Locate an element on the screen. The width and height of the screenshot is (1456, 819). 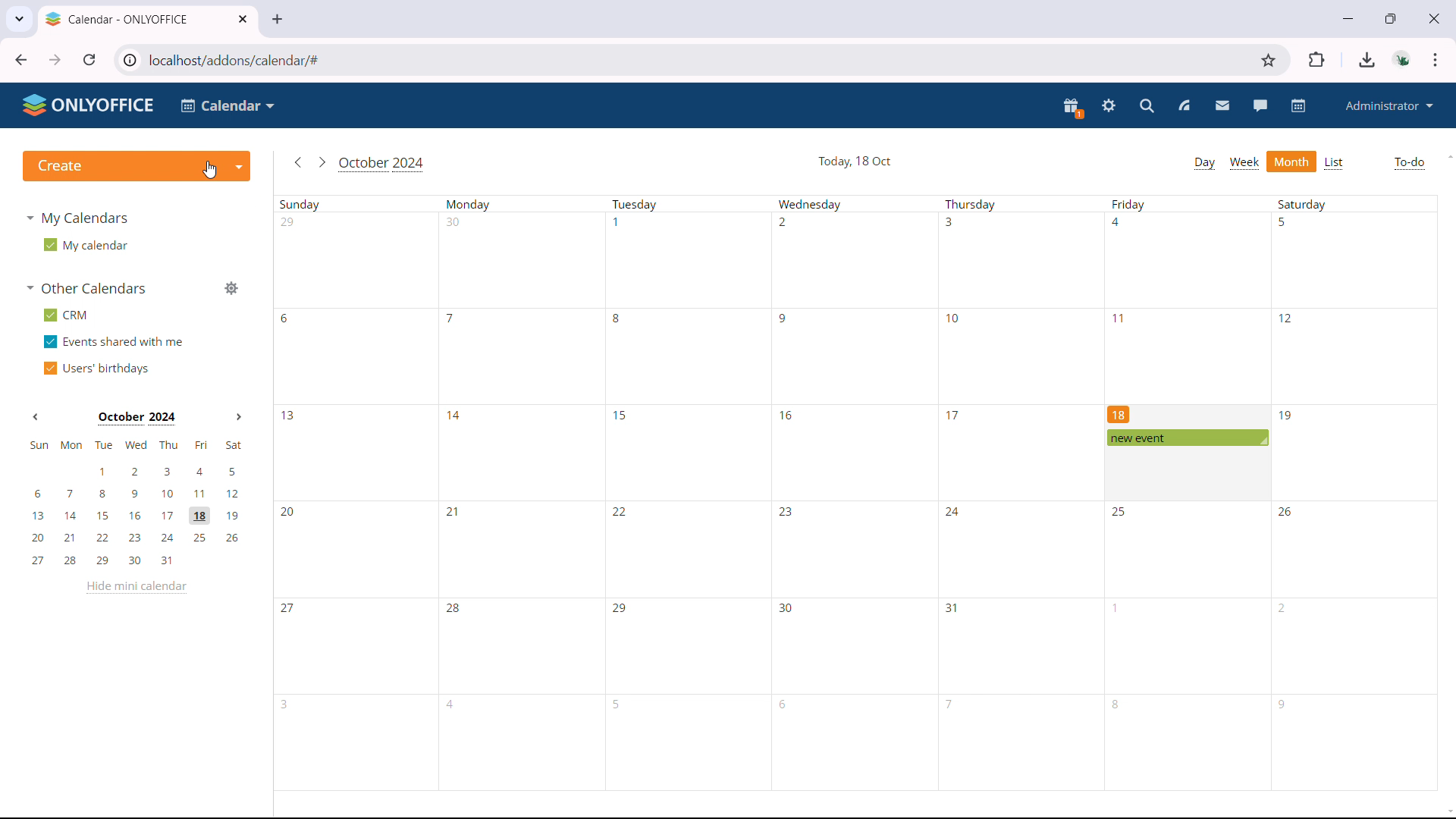
search is located at coordinates (1148, 106).